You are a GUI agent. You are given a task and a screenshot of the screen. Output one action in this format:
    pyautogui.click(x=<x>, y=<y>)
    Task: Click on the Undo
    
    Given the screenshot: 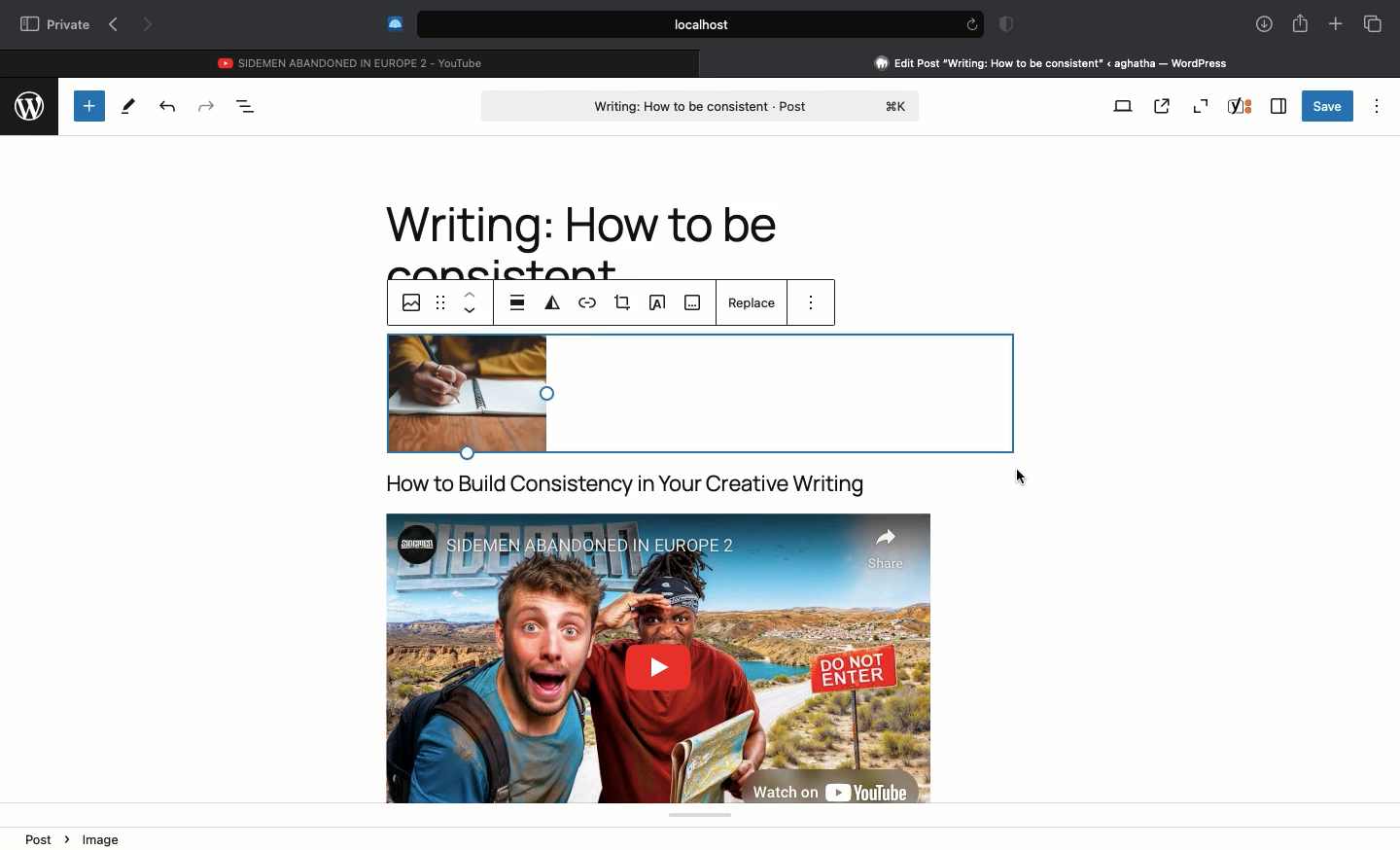 What is the action you would take?
    pyautogui.click(x=167, y=106)
    